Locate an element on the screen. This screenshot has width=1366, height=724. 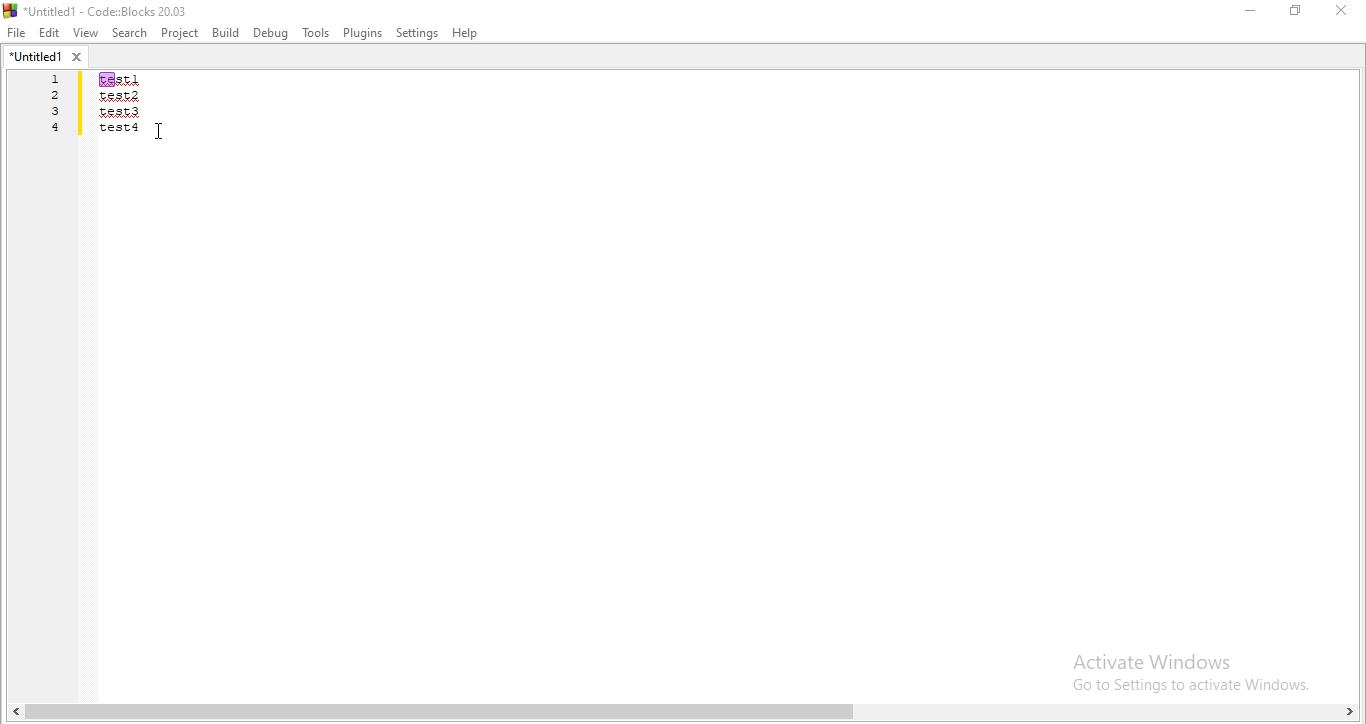
Search  is located at coordinates (129, 34).